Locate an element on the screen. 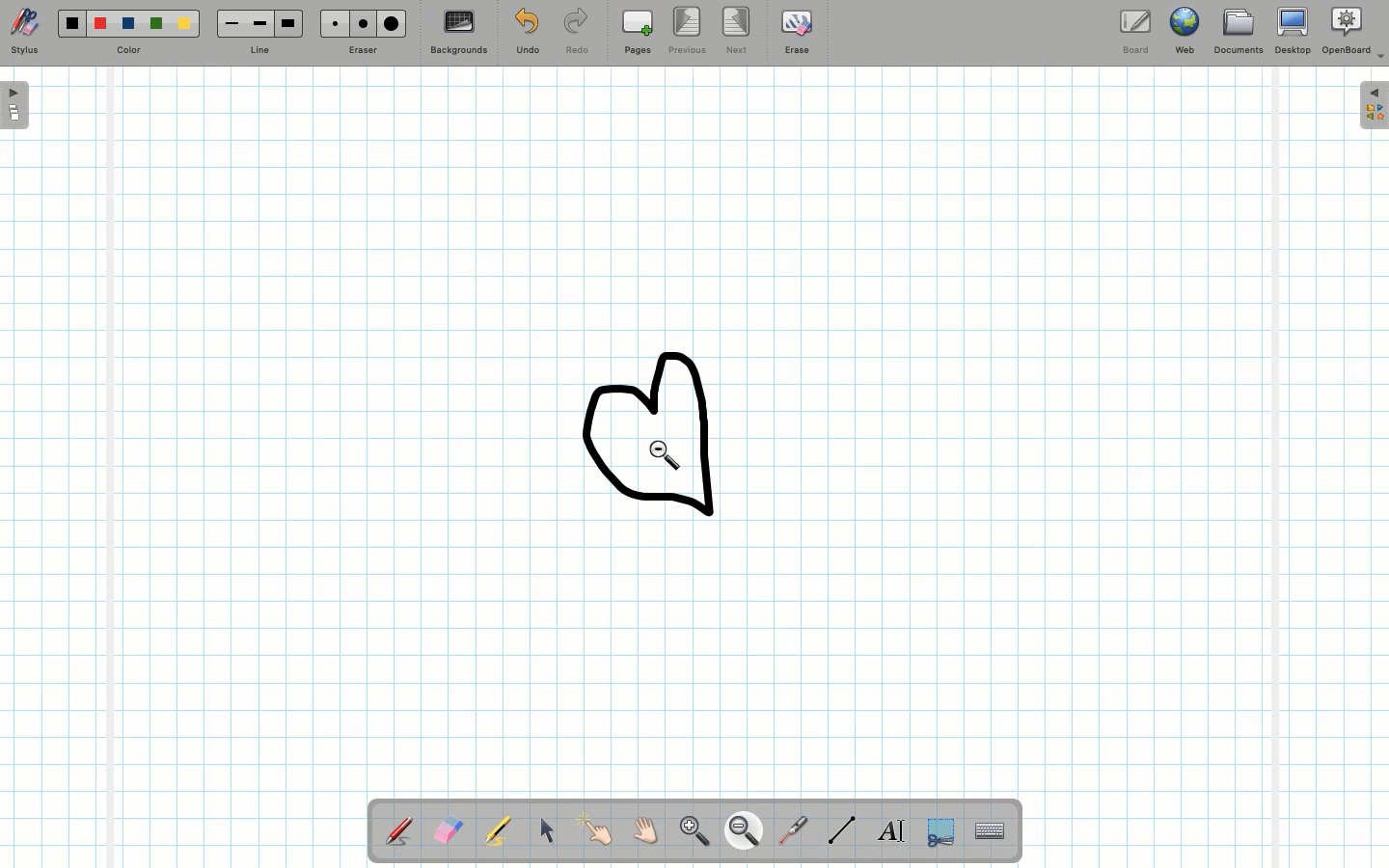 The image size is (1389, 868). Eraser is located at coordinates (364, 31).